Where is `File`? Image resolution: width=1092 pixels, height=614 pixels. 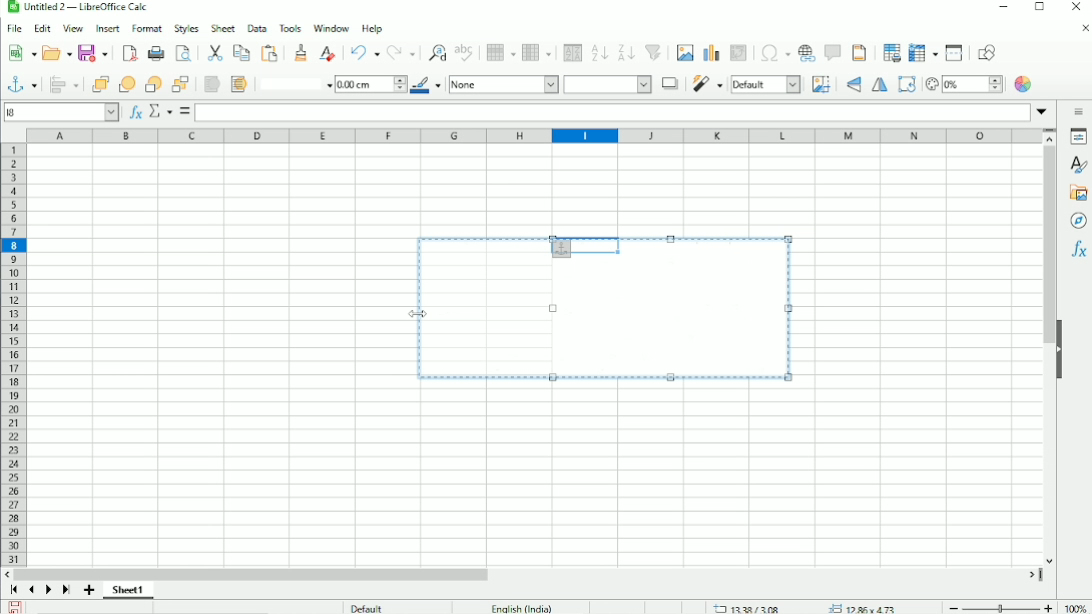
File is located at coordinates (14, 29).